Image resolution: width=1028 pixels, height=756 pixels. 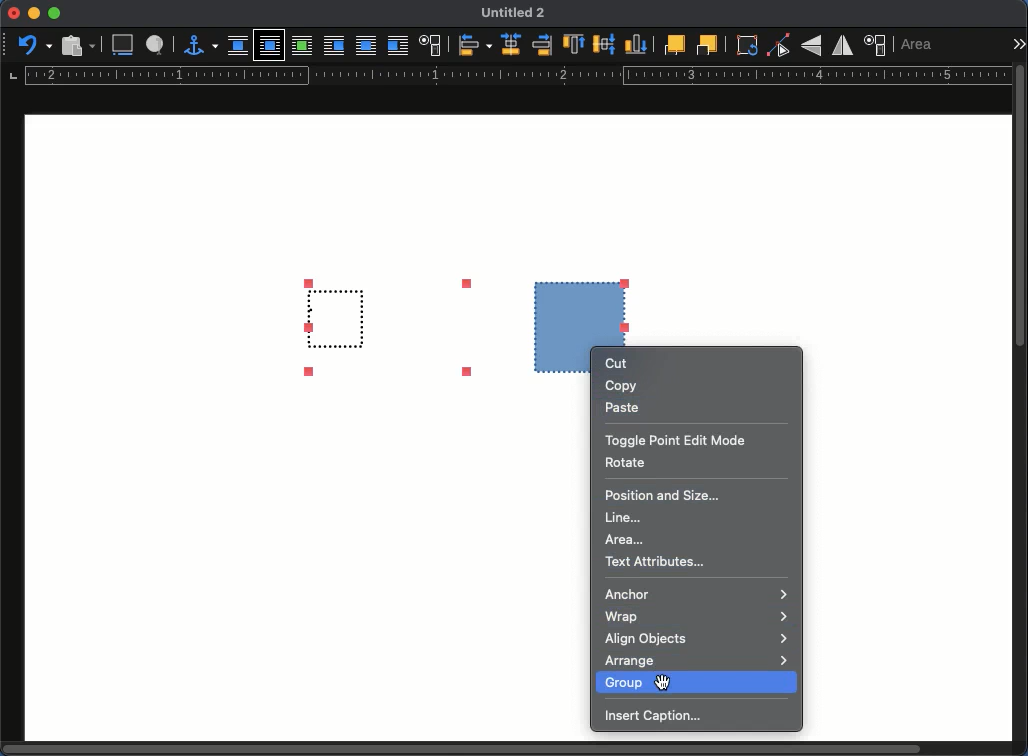 I want to click on paste, so click(x=623, y=407).